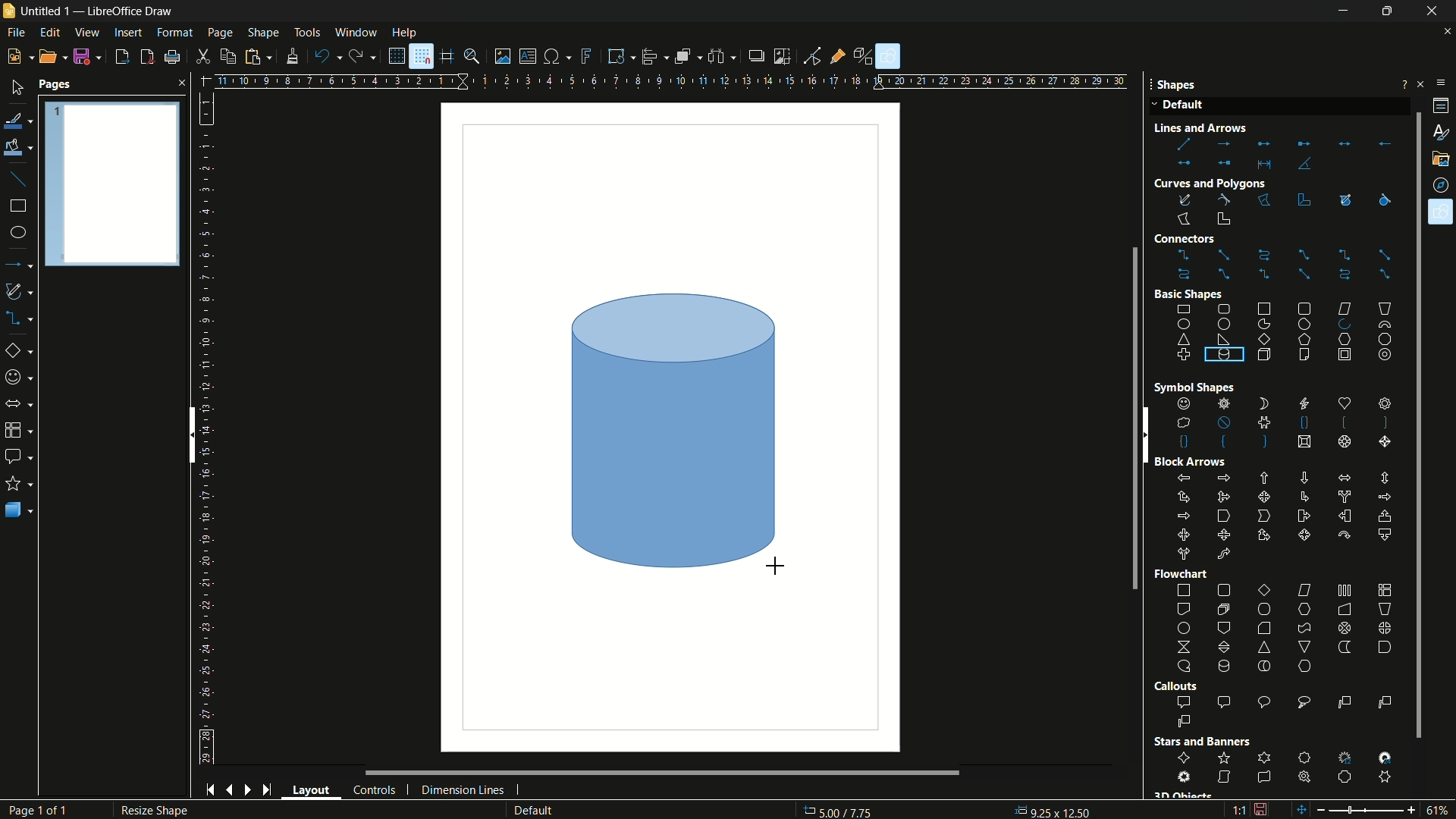 This screenshot has height=819, width=1456. I want to click on Curves and Polygons, so click(1210, 181).